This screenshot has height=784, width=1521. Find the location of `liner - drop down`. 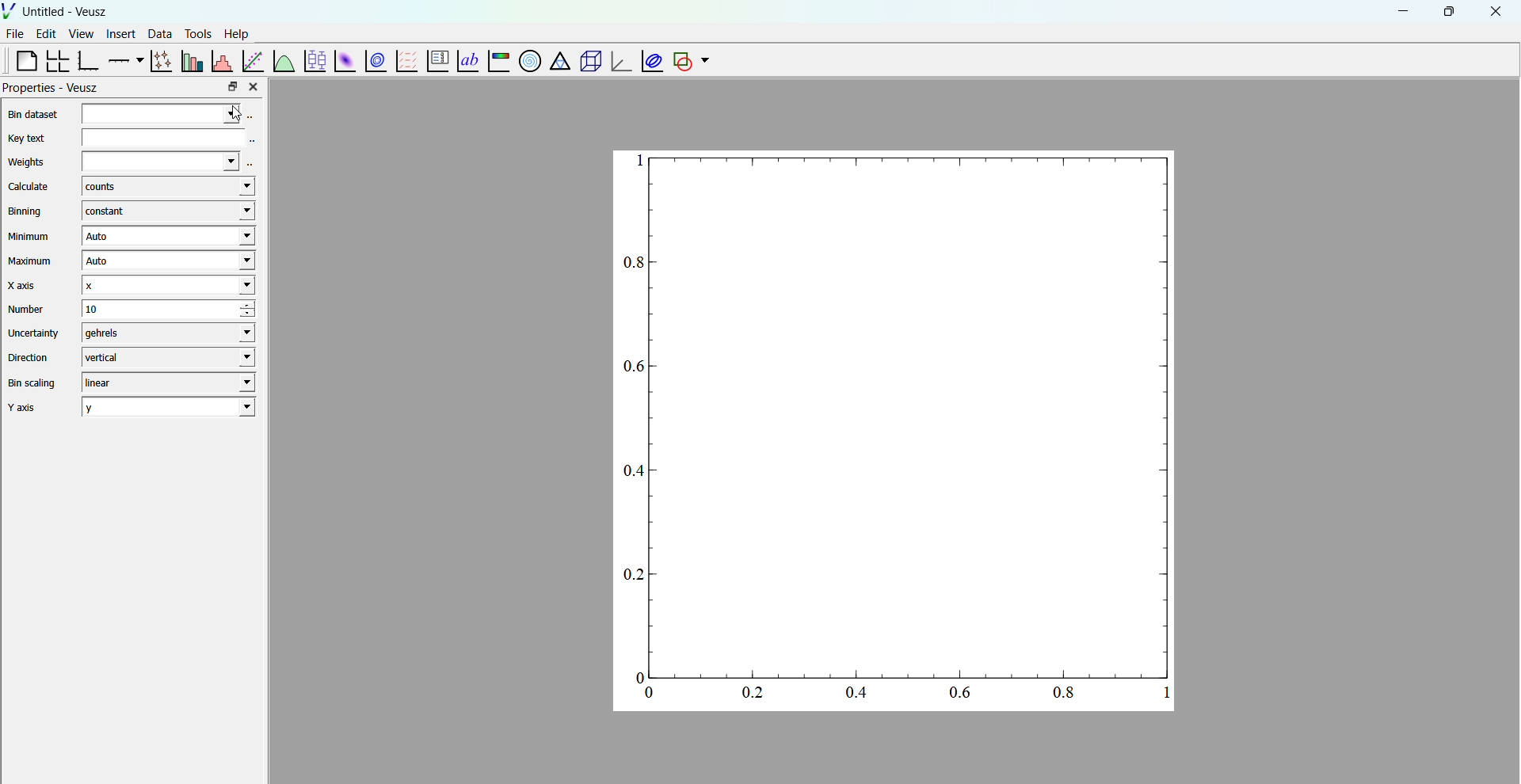

liner - drop down is located at coordinates (168, 382).